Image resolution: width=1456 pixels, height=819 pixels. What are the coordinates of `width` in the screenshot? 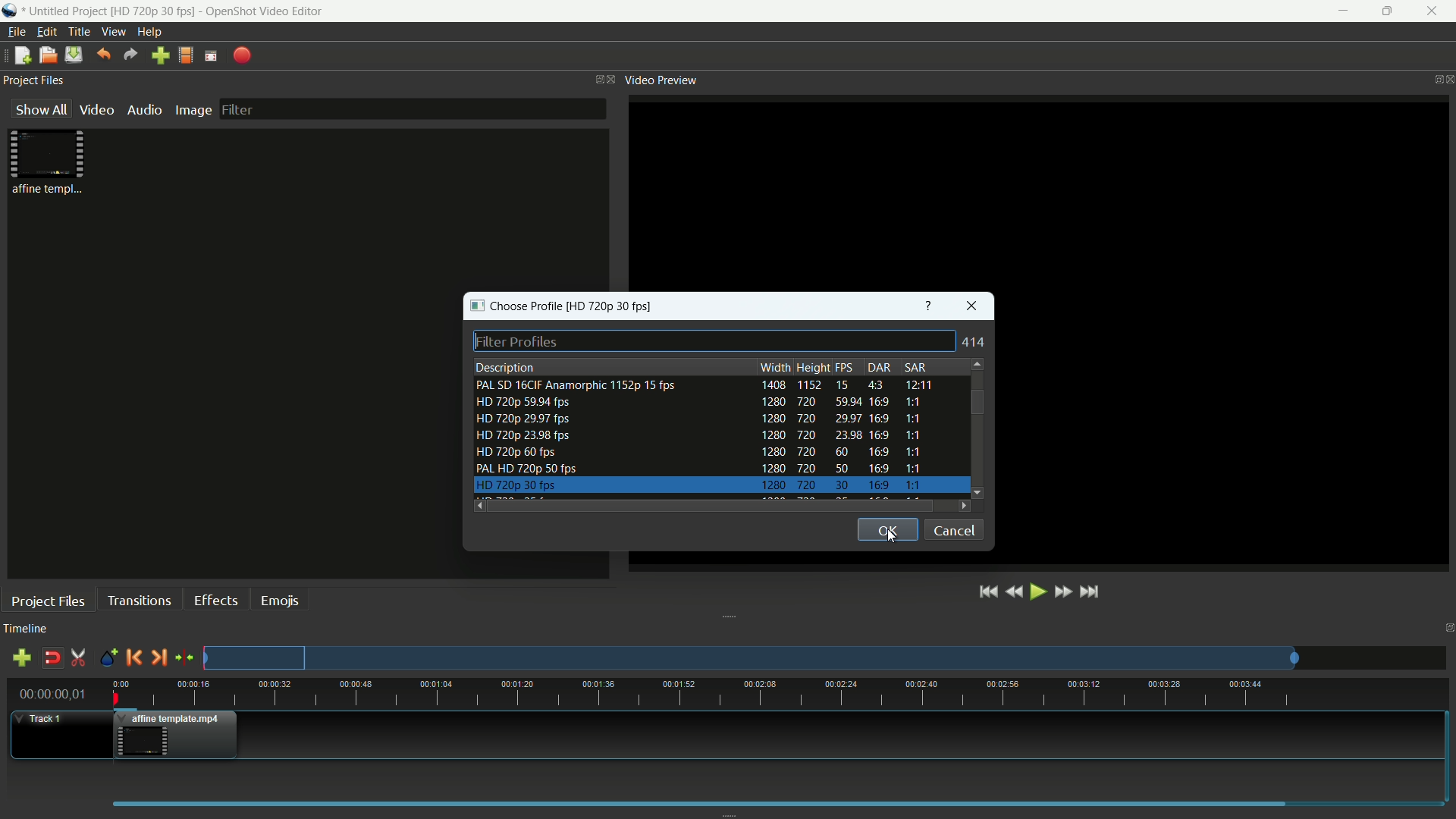 It's located at (770, 368).